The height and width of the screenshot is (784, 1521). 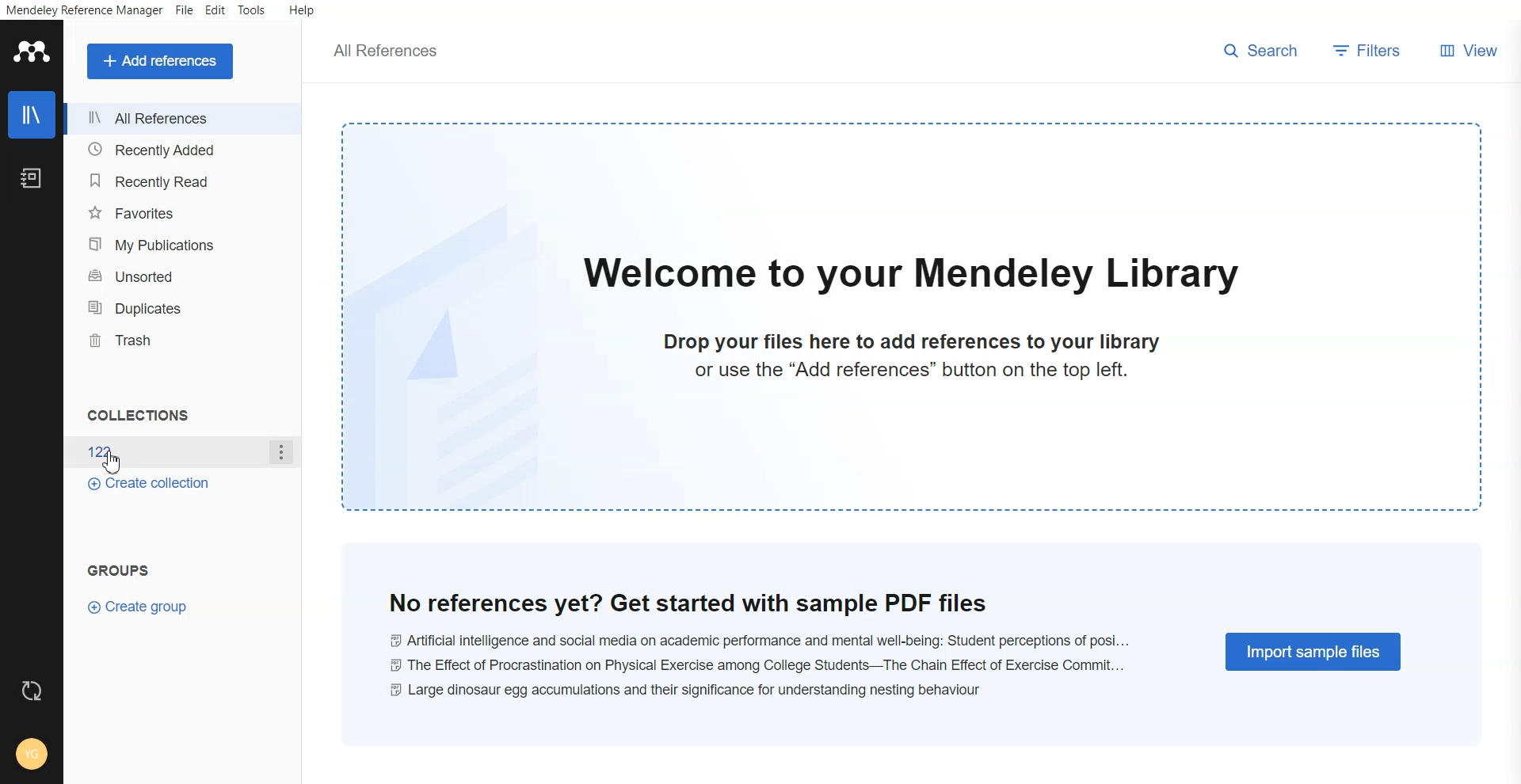 What do you see at coordinates (30, 177) in the screenshot?
I see `Notebook` at bounding box center [30, 177].